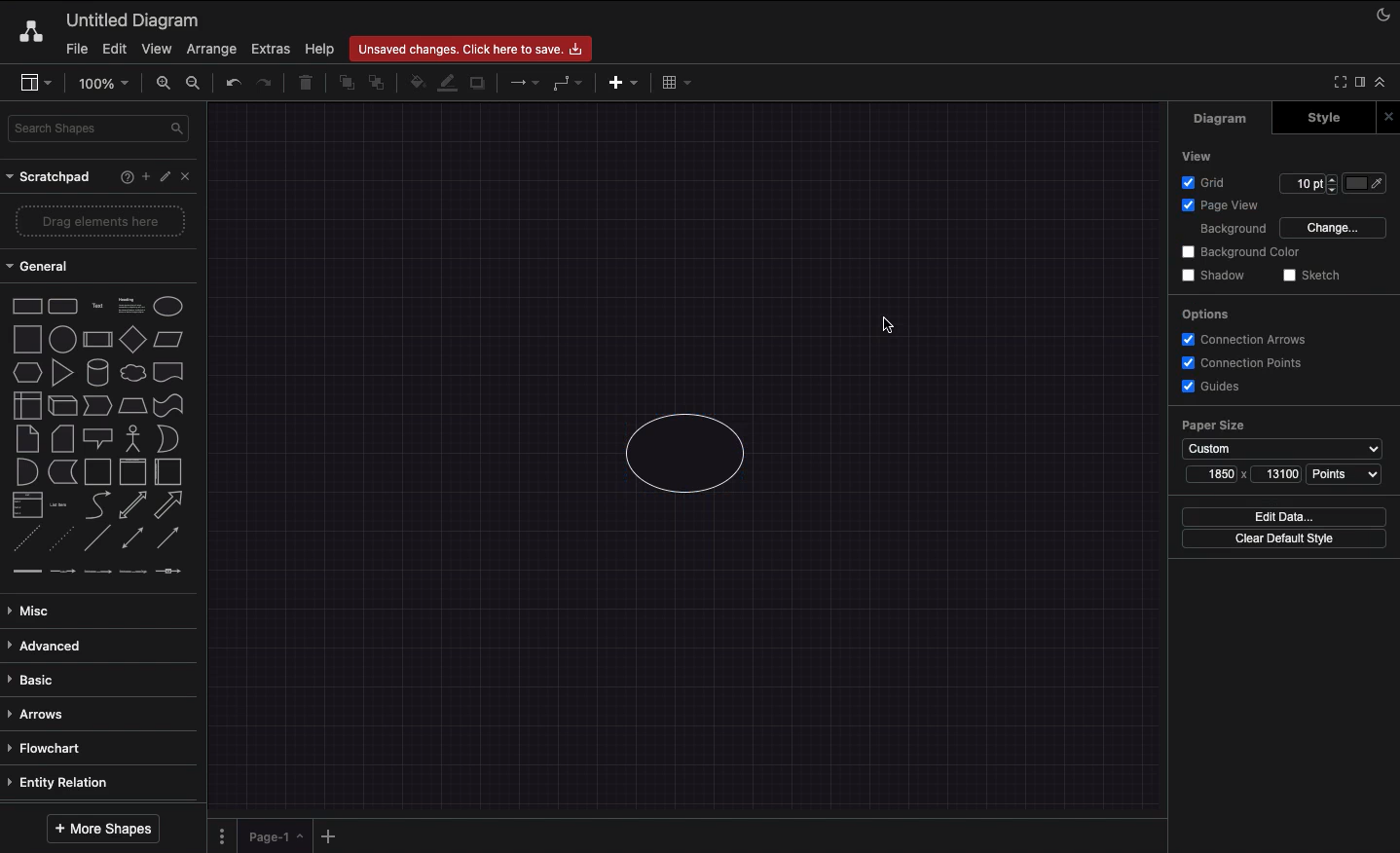  What do you see at coordinates (97, 373) in the screenshot?
I see `Cylinder` at bounding box center [97, 373].